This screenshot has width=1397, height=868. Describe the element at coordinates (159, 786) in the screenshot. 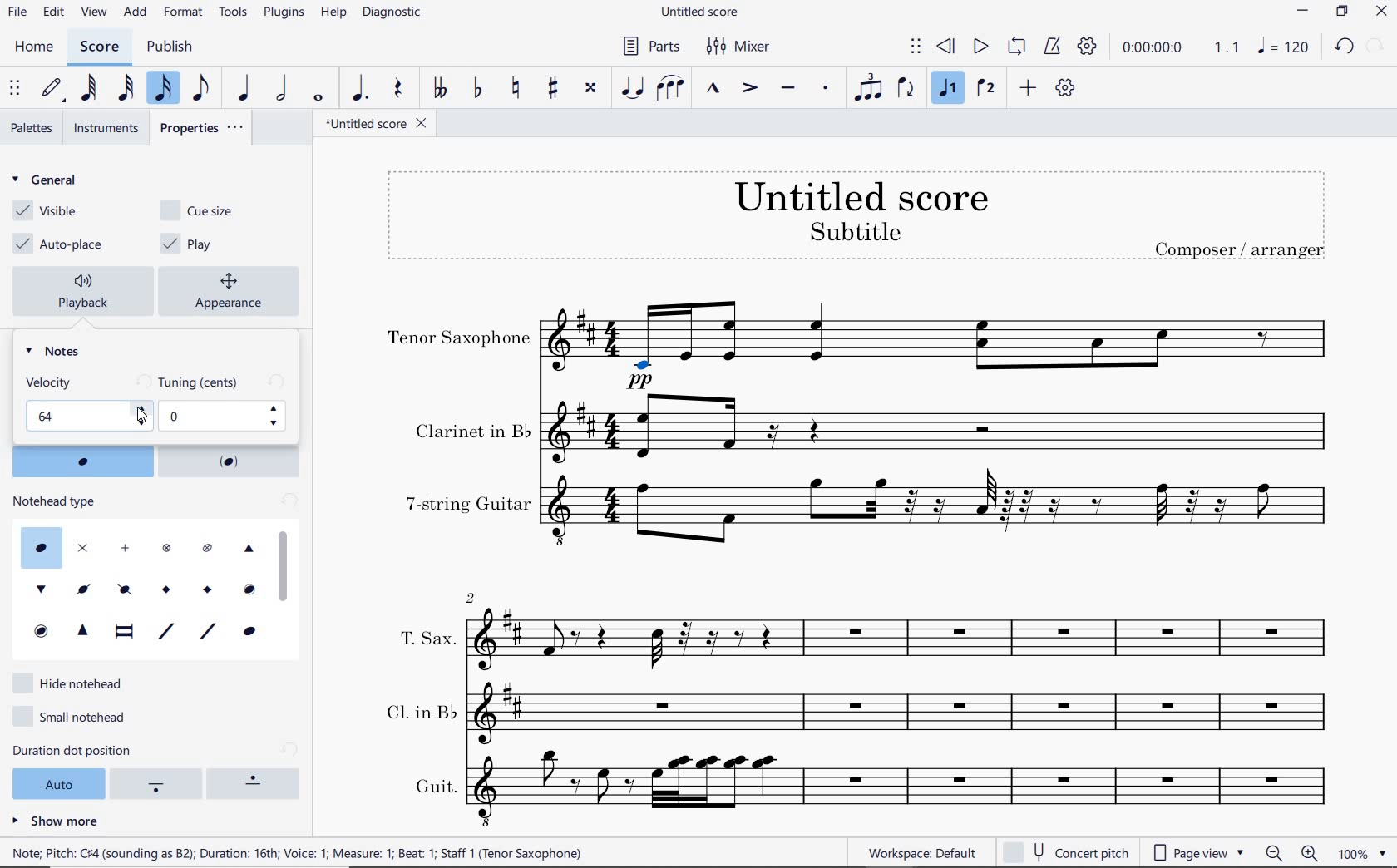

I see `Duration position` at that location.